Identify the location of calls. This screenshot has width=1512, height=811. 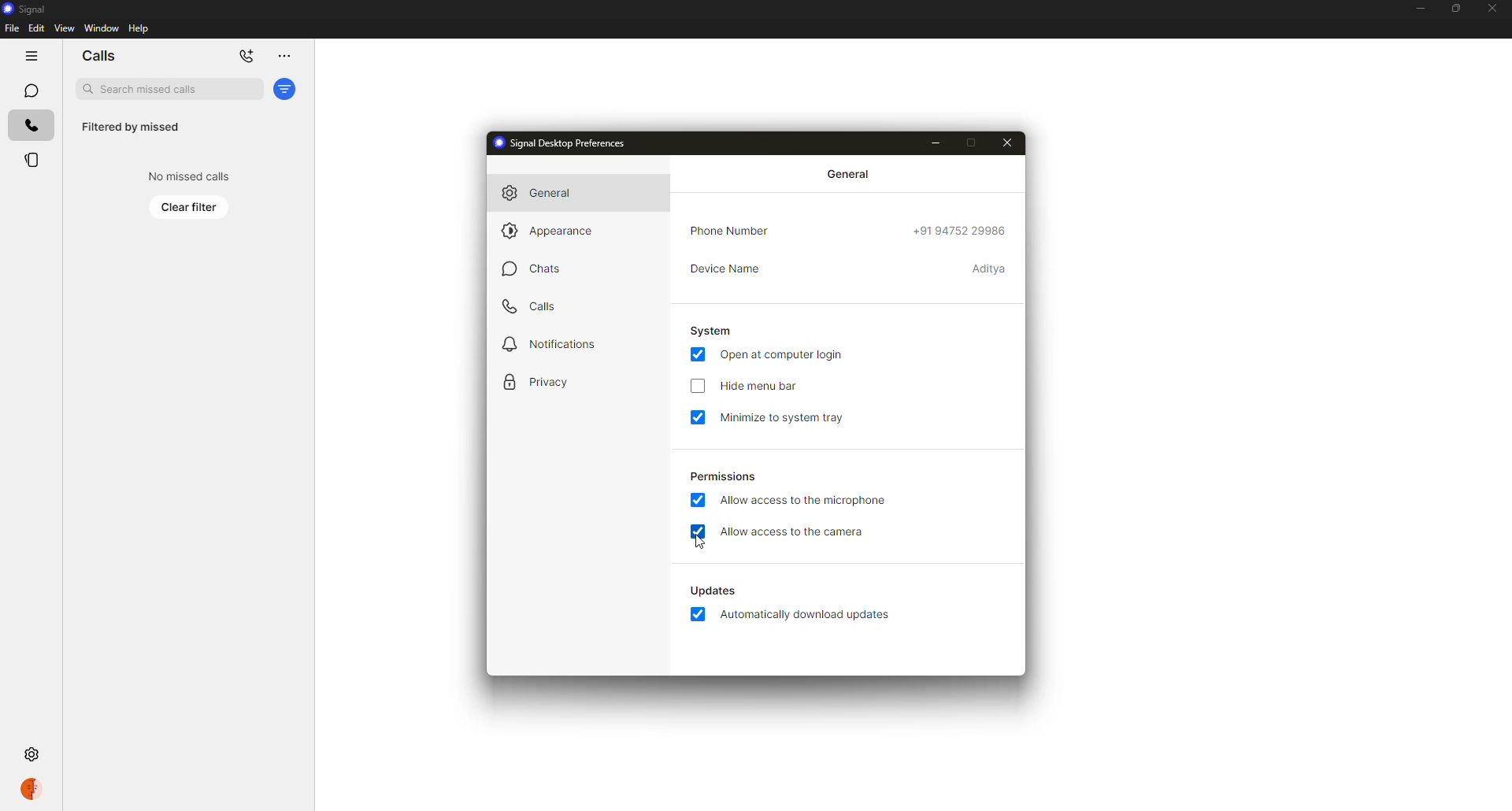
(99, 56).